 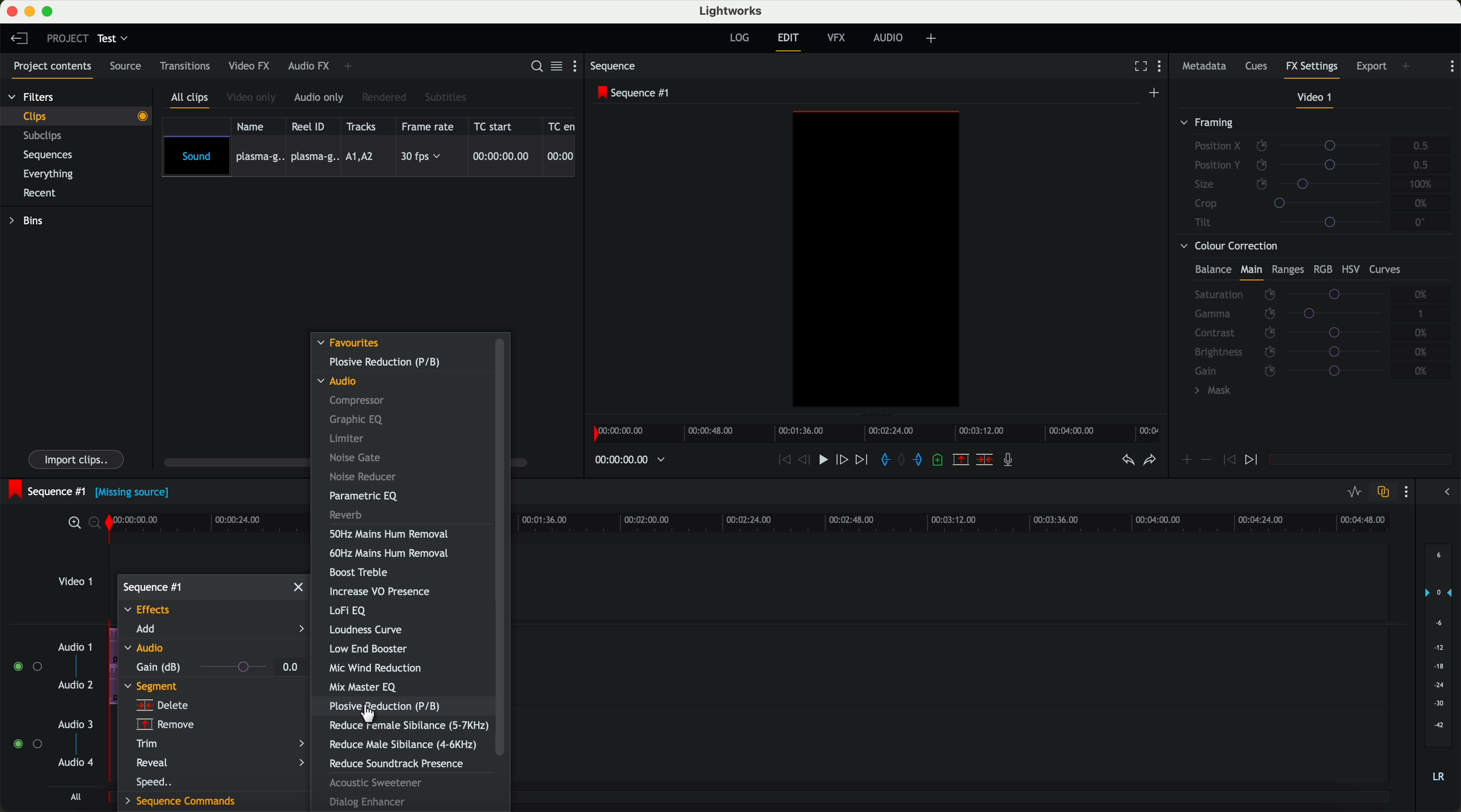 What do you see at coordinates (1155, 92) in the screenshot?
I see `create a new sequence` at bounding box center [1155, 92].